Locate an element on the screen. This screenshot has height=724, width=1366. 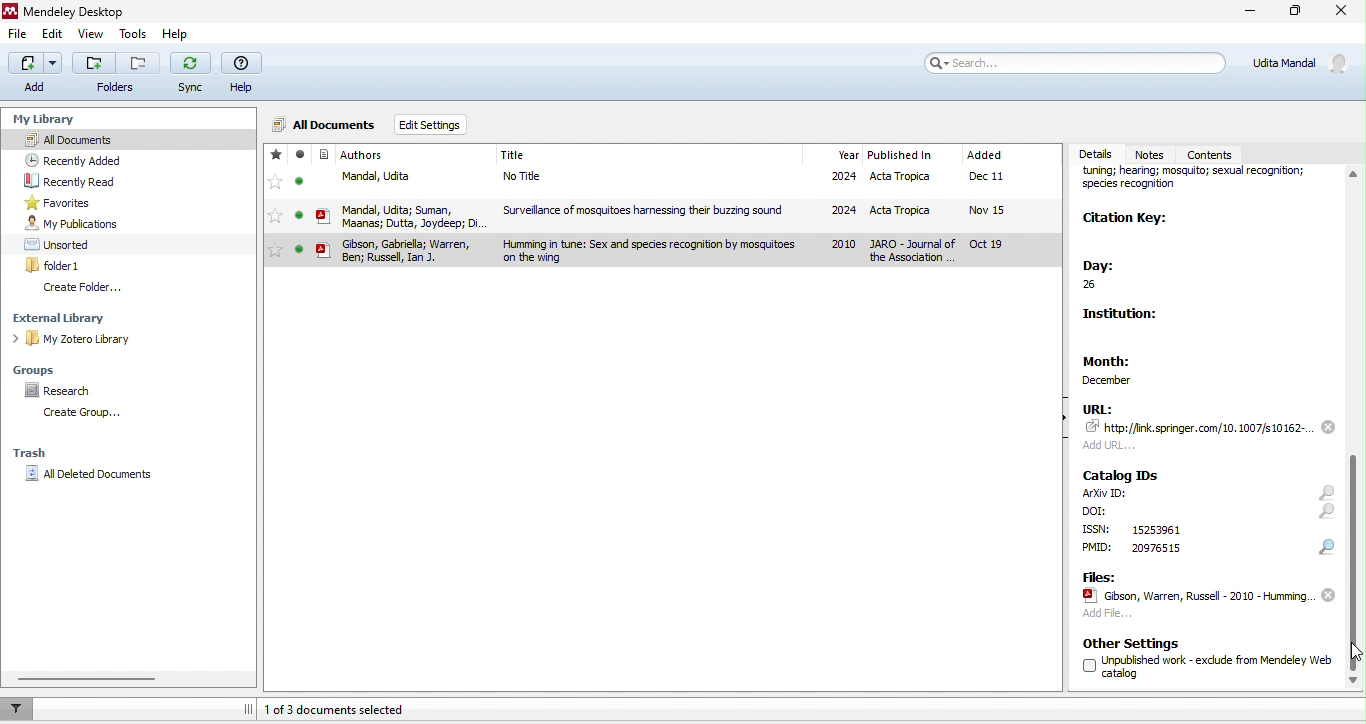
text is located at coordinates (1218, 665).